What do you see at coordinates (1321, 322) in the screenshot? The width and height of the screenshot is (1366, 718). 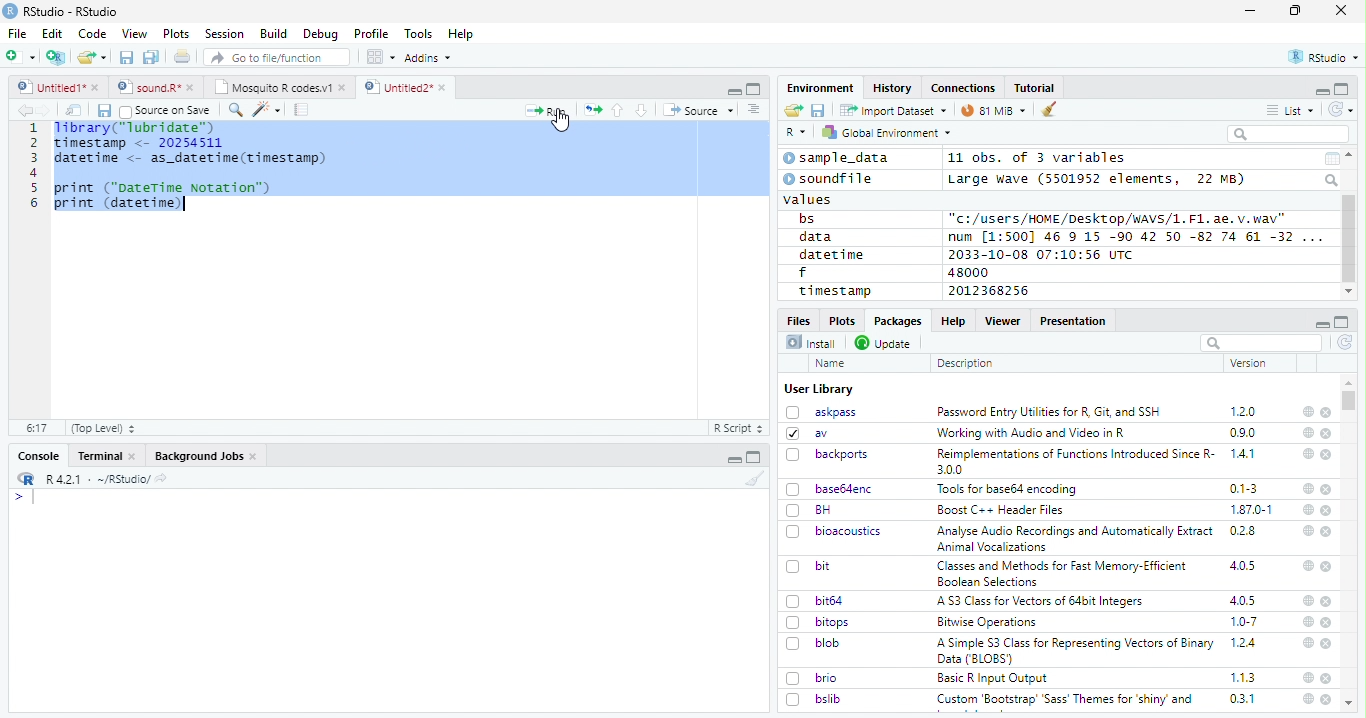 I see `minimize` at bounding box center [1321, 322].